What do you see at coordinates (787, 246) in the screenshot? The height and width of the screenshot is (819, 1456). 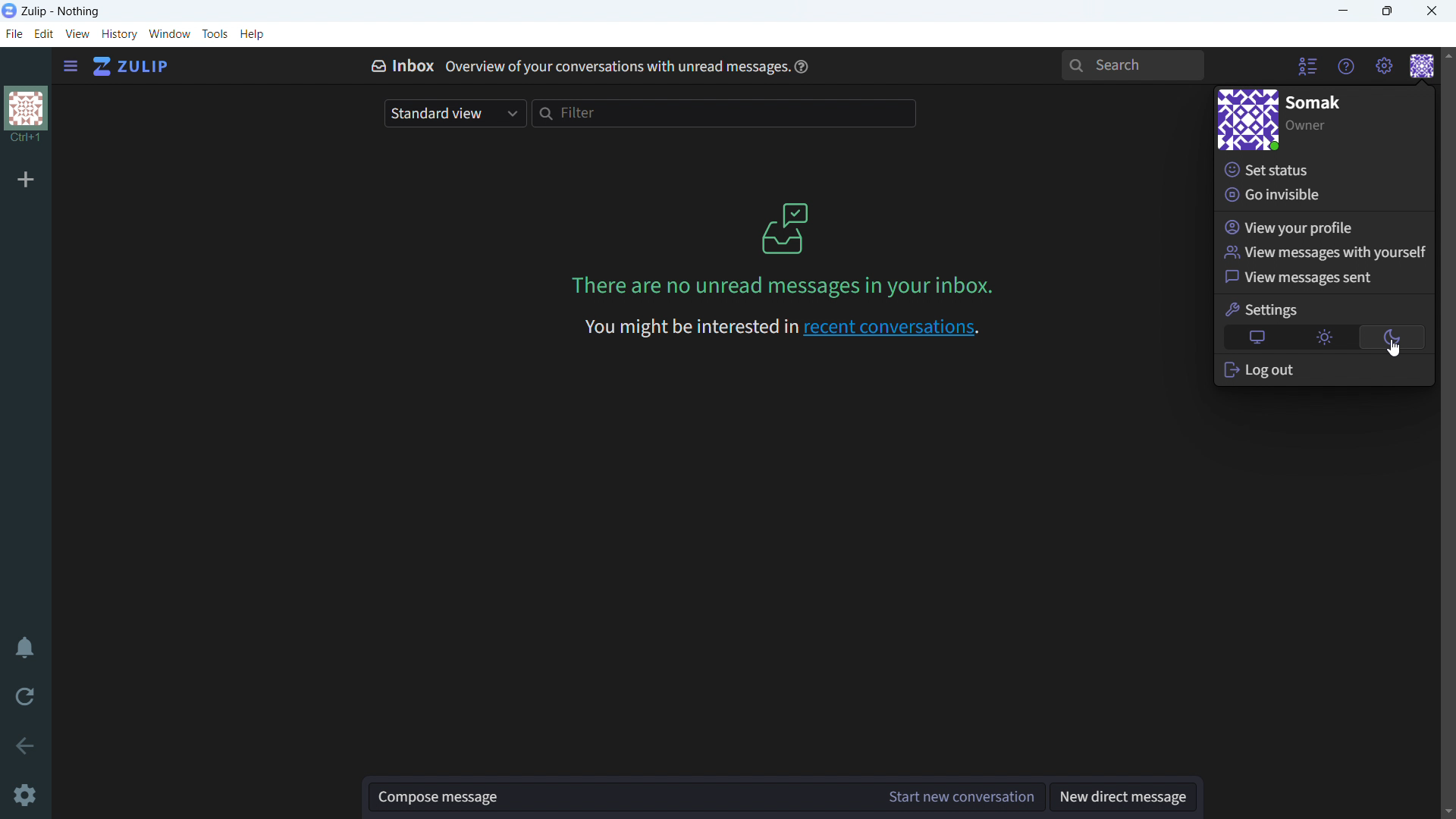 I see `on screen message` at bounding box center [787, 246].